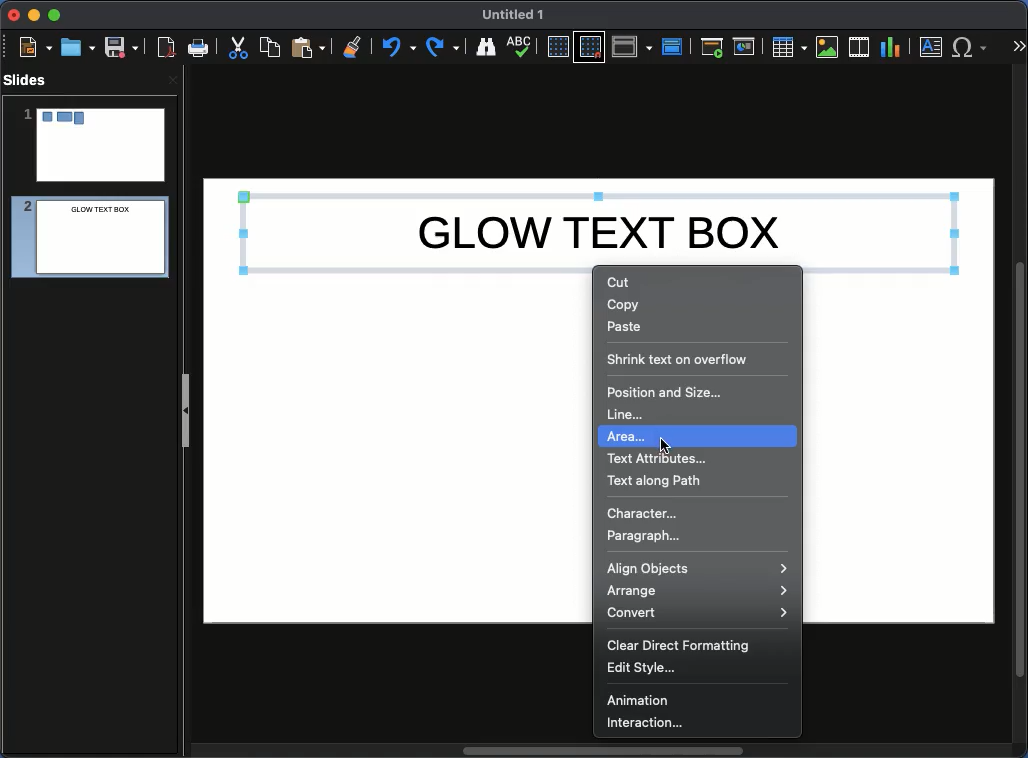 This screenshot has height=758, width=1028. I want to click on New, so click(35, 46).